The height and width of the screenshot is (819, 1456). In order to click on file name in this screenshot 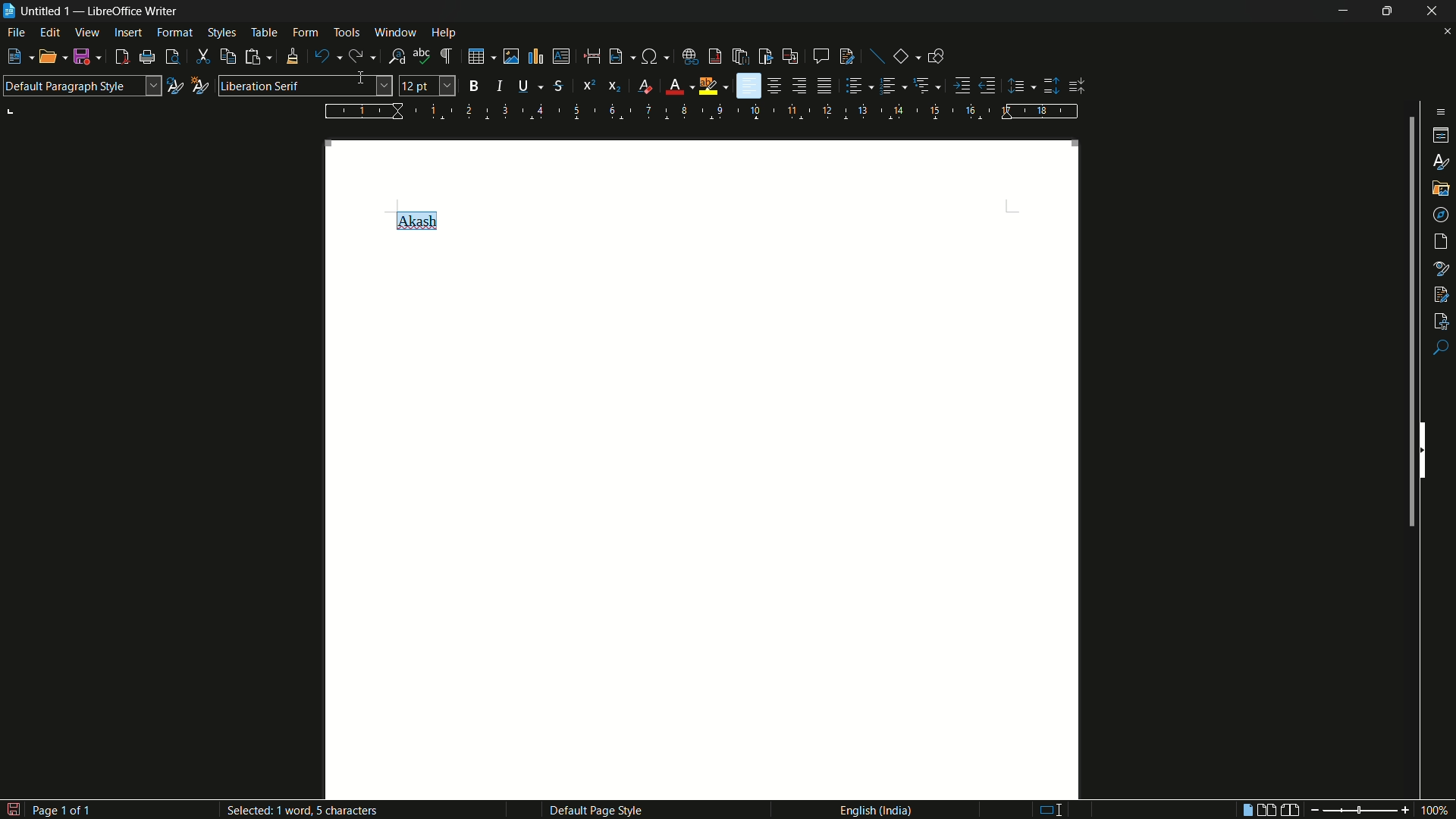, I will do `click(36, 11)`.